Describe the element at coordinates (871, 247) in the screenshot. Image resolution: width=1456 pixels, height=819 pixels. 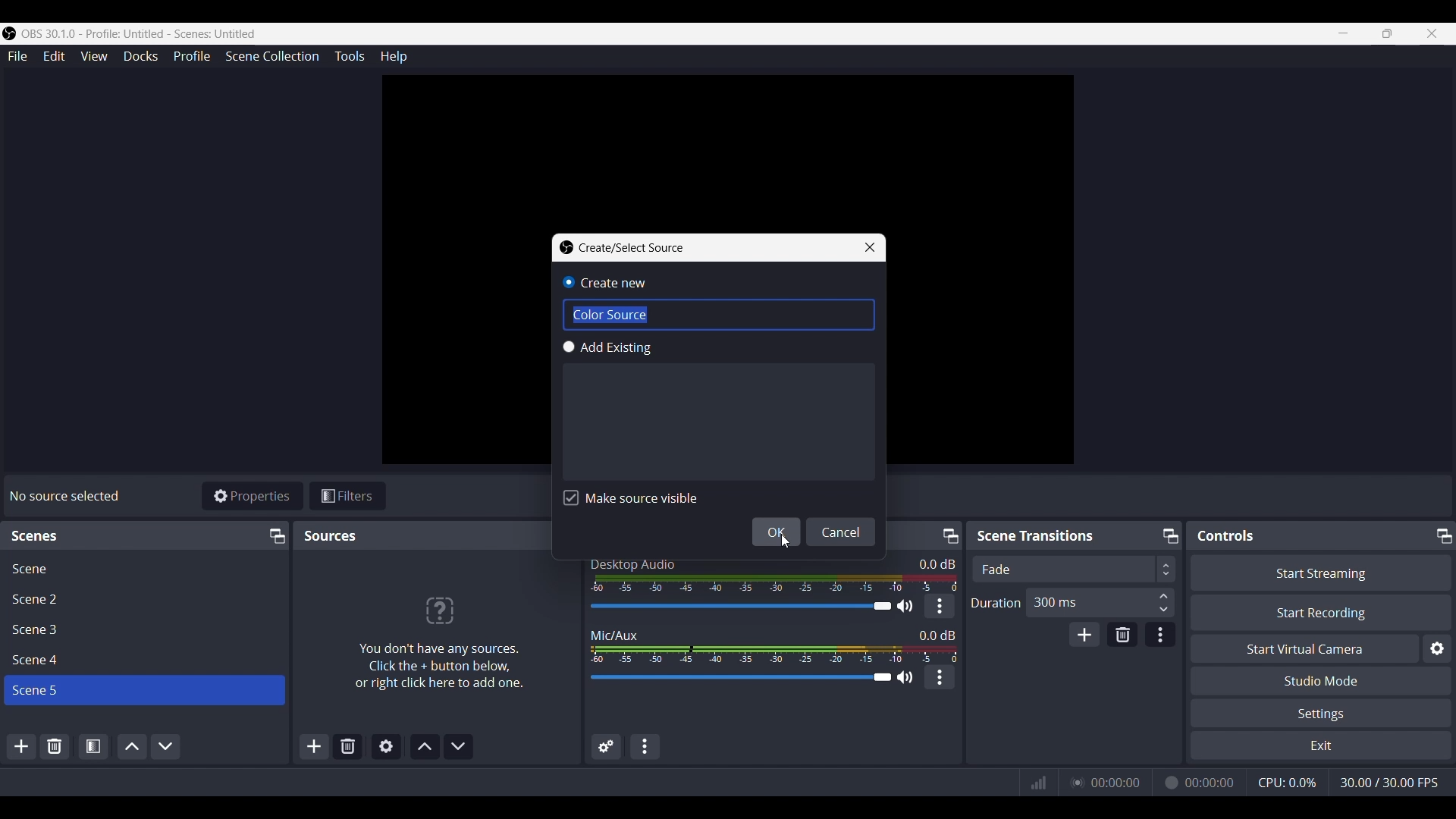
I see `Close` at that location.